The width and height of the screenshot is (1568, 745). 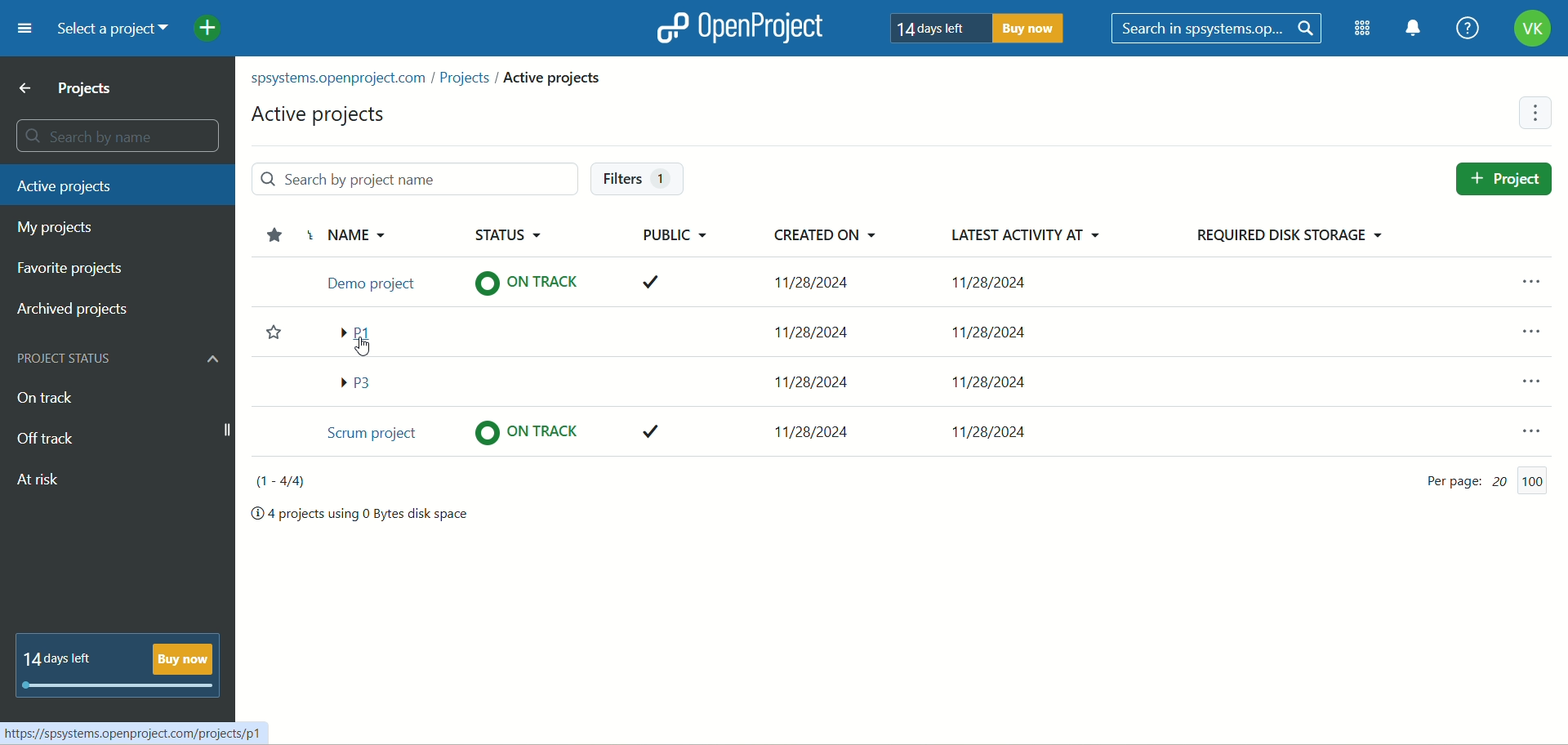 What do you see at coordinates (522, 228) in the screenshot?
I see `status` at bounding box center [522, 228].